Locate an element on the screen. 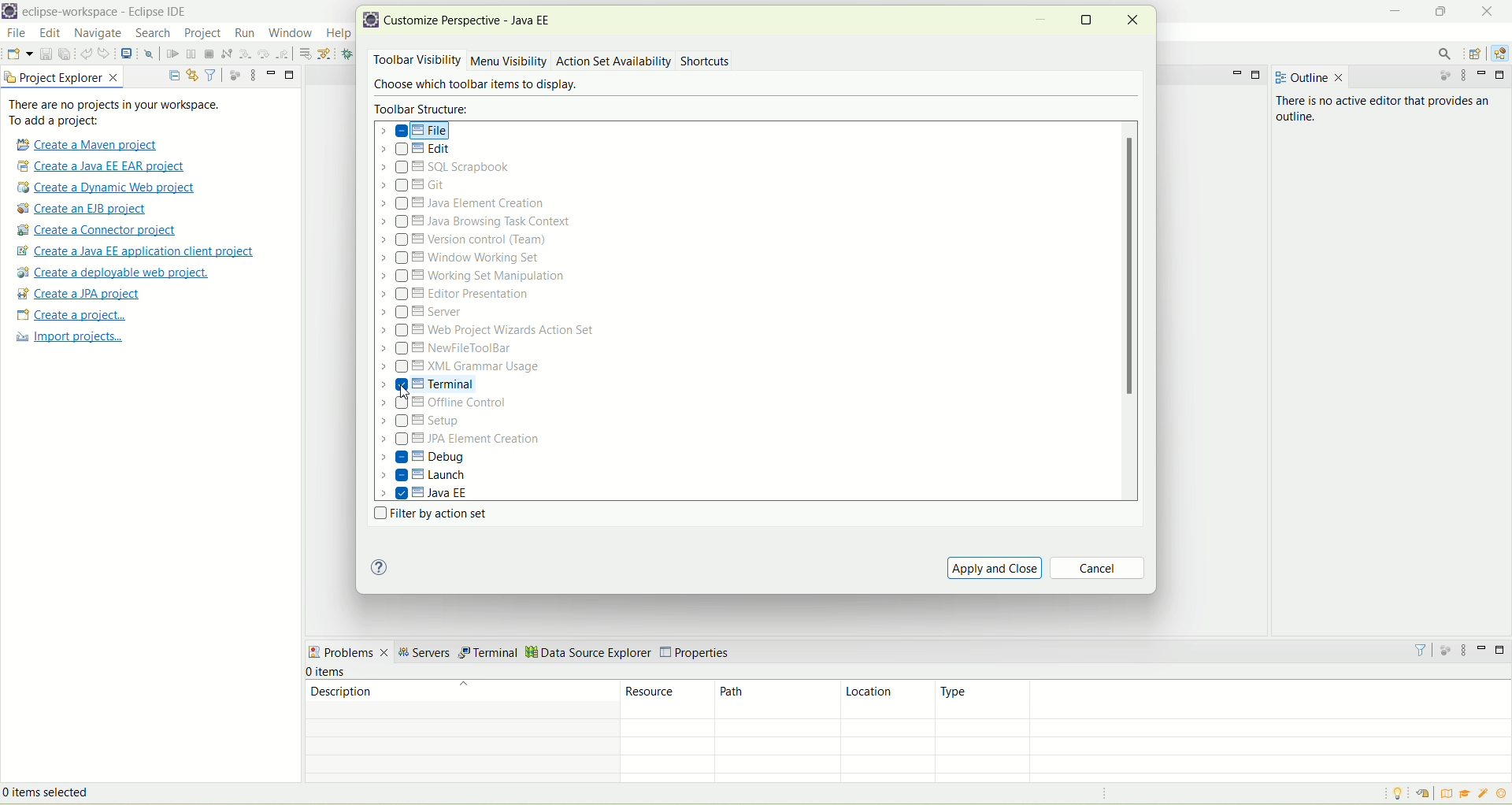 The width and height of the screenshot is (1512, 805). working set manipulation is located at coordinates (475, 275).